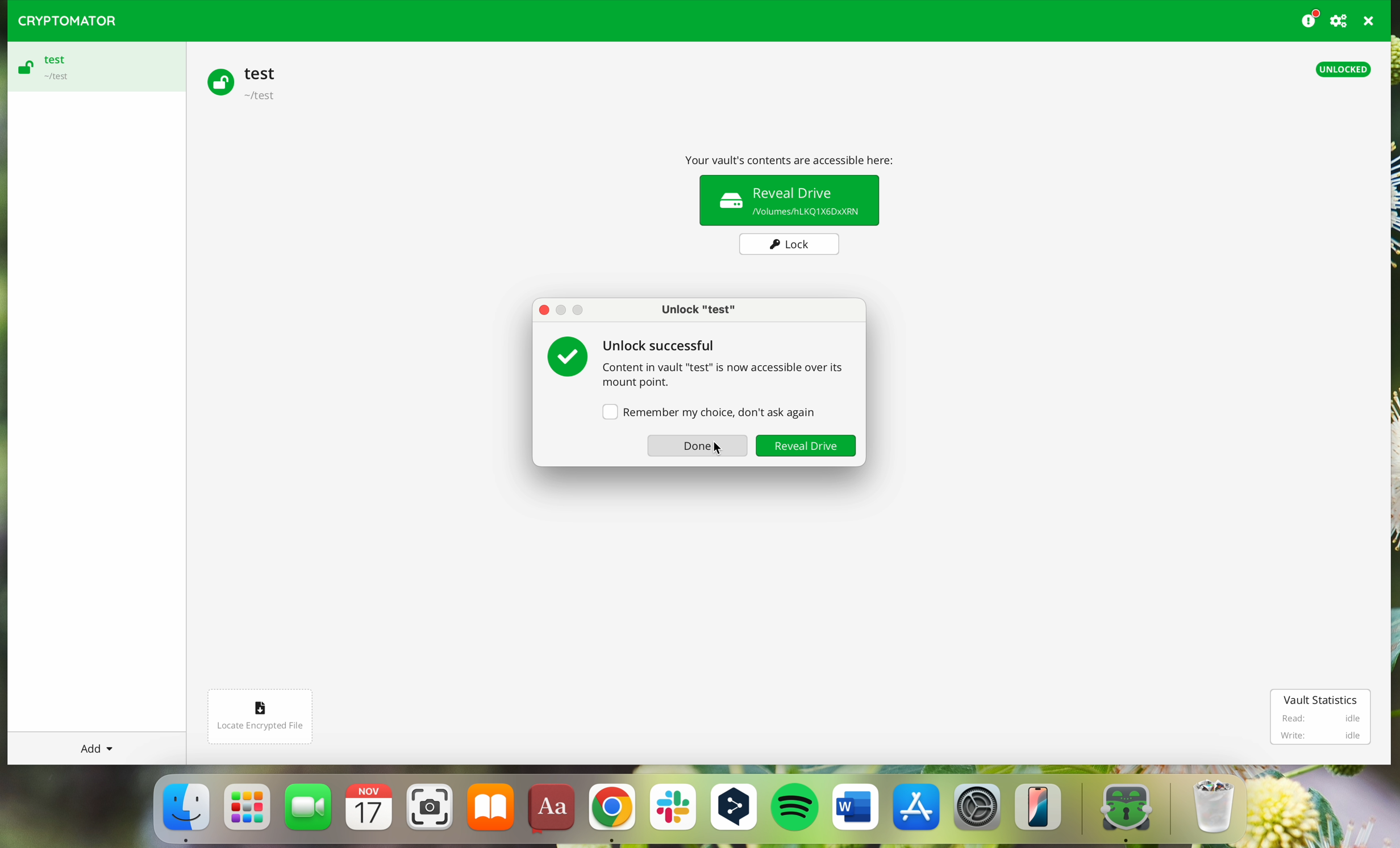  I want to click on Remember my choice don't ask again, so click(707, 411).